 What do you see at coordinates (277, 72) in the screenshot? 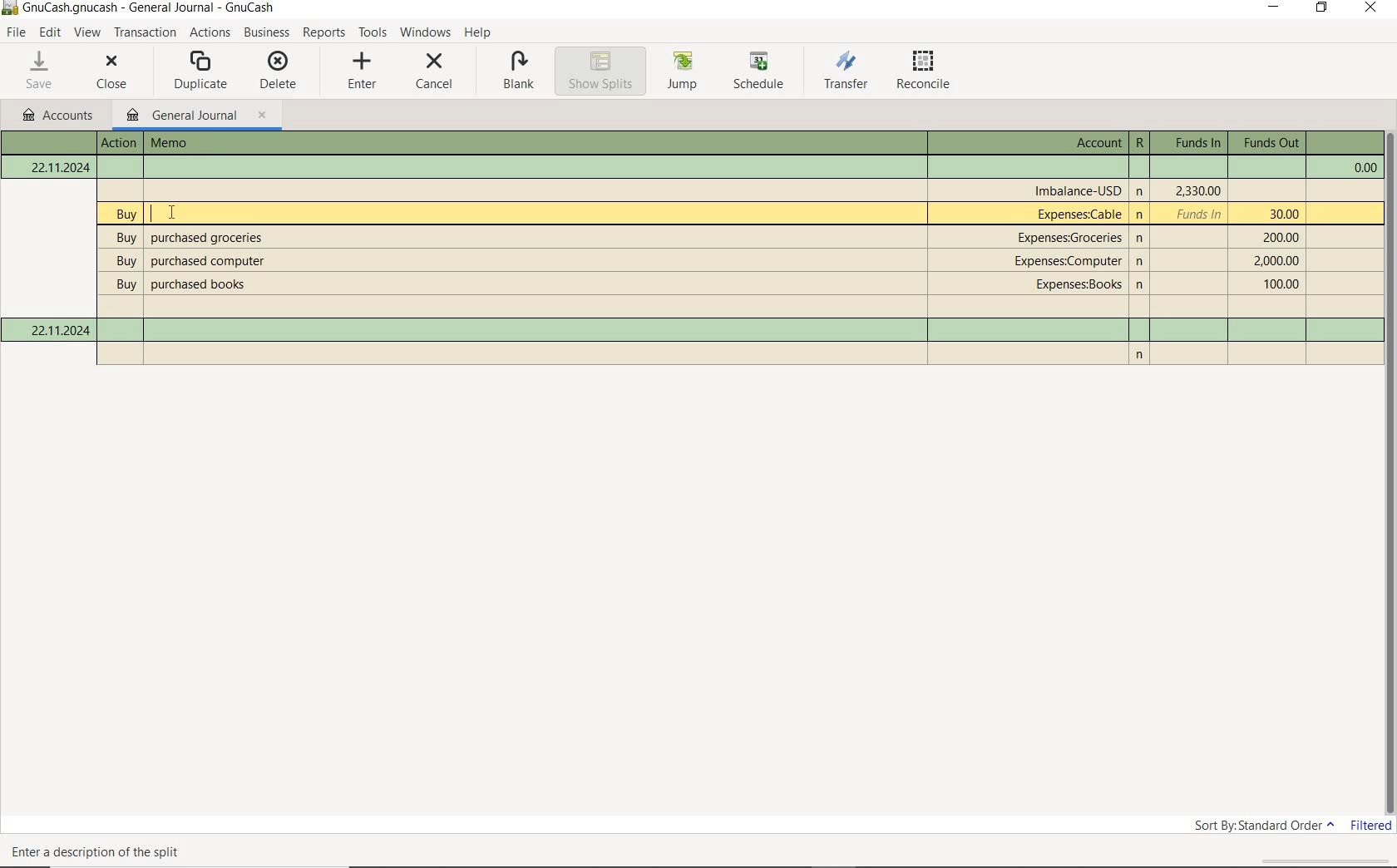
I see `delete` at bounding box center [277, 72].